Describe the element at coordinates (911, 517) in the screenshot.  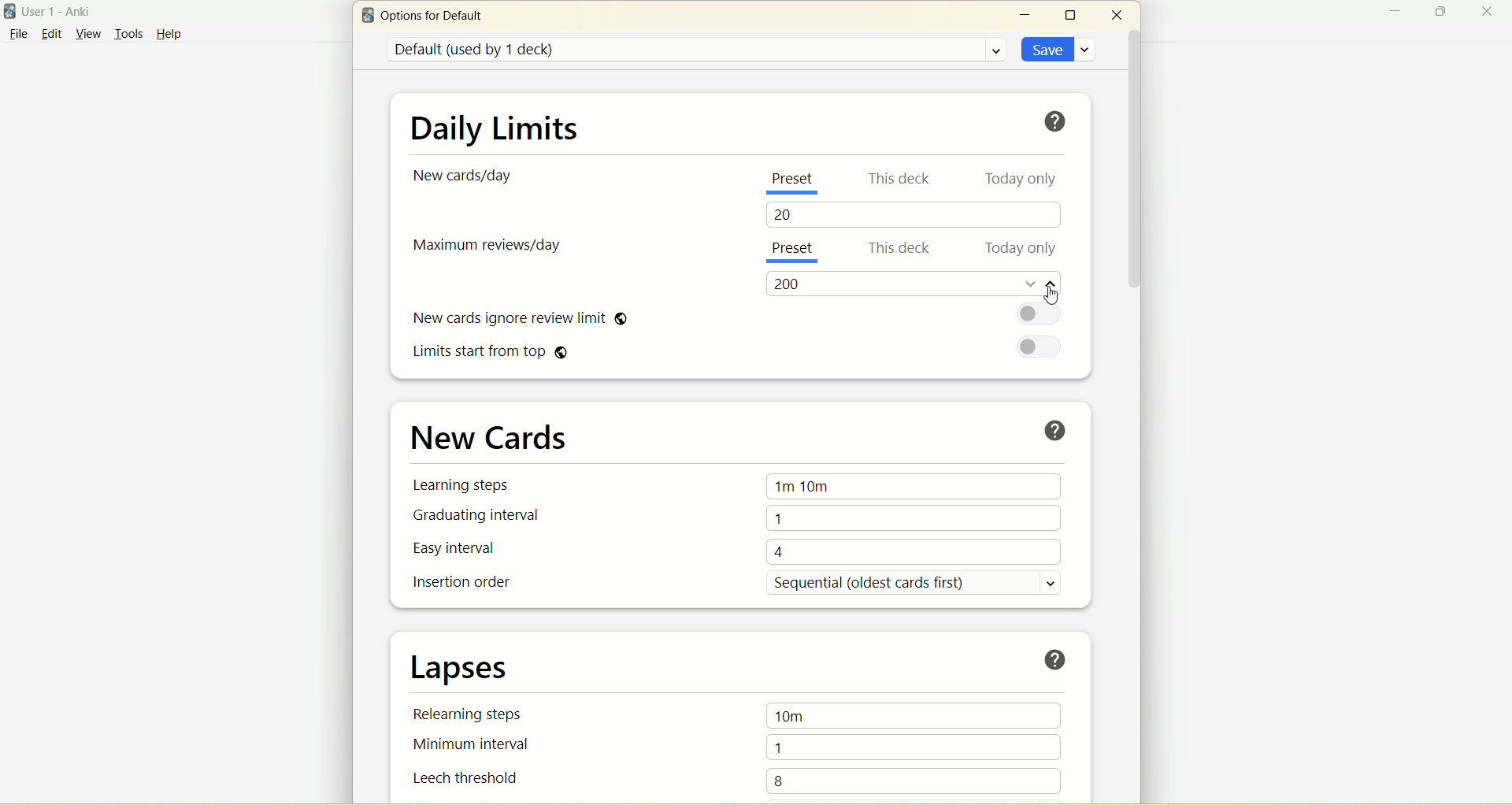
I see `1` at that location.